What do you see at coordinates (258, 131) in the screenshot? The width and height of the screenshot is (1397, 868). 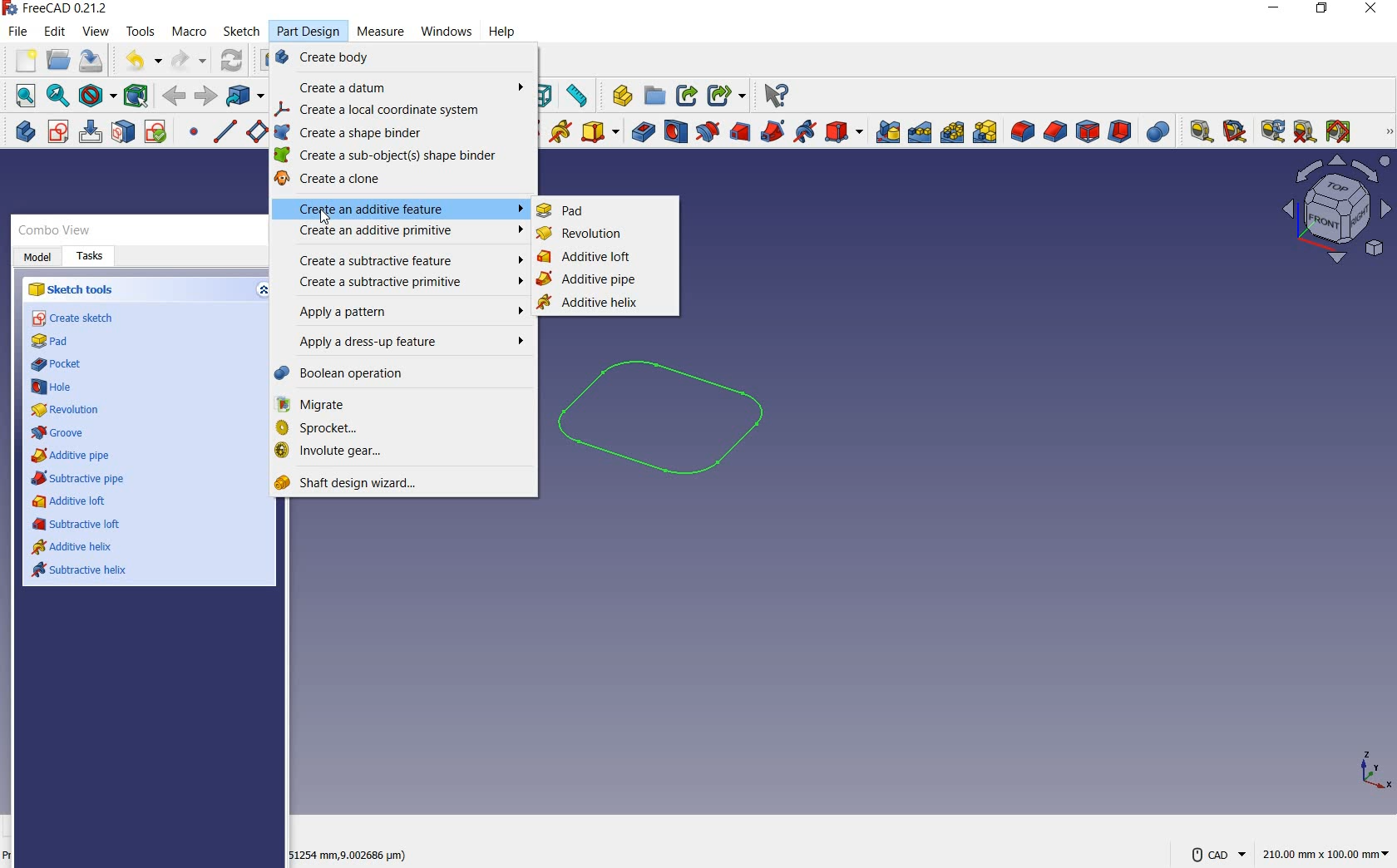 I see `create a datum plane` at bounding box center [258, 131].